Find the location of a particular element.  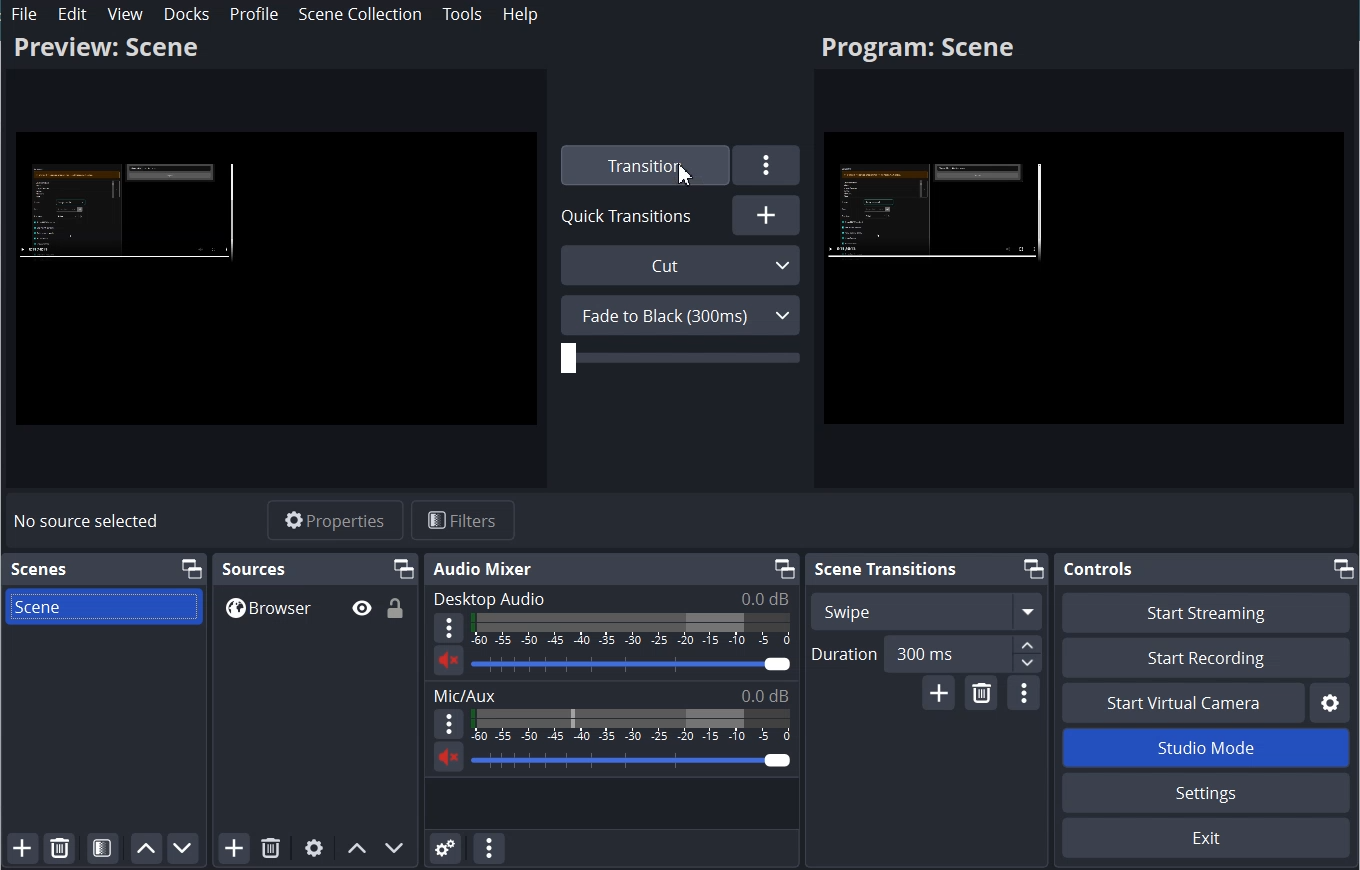

Maximize is located at coordinates (404, 568).